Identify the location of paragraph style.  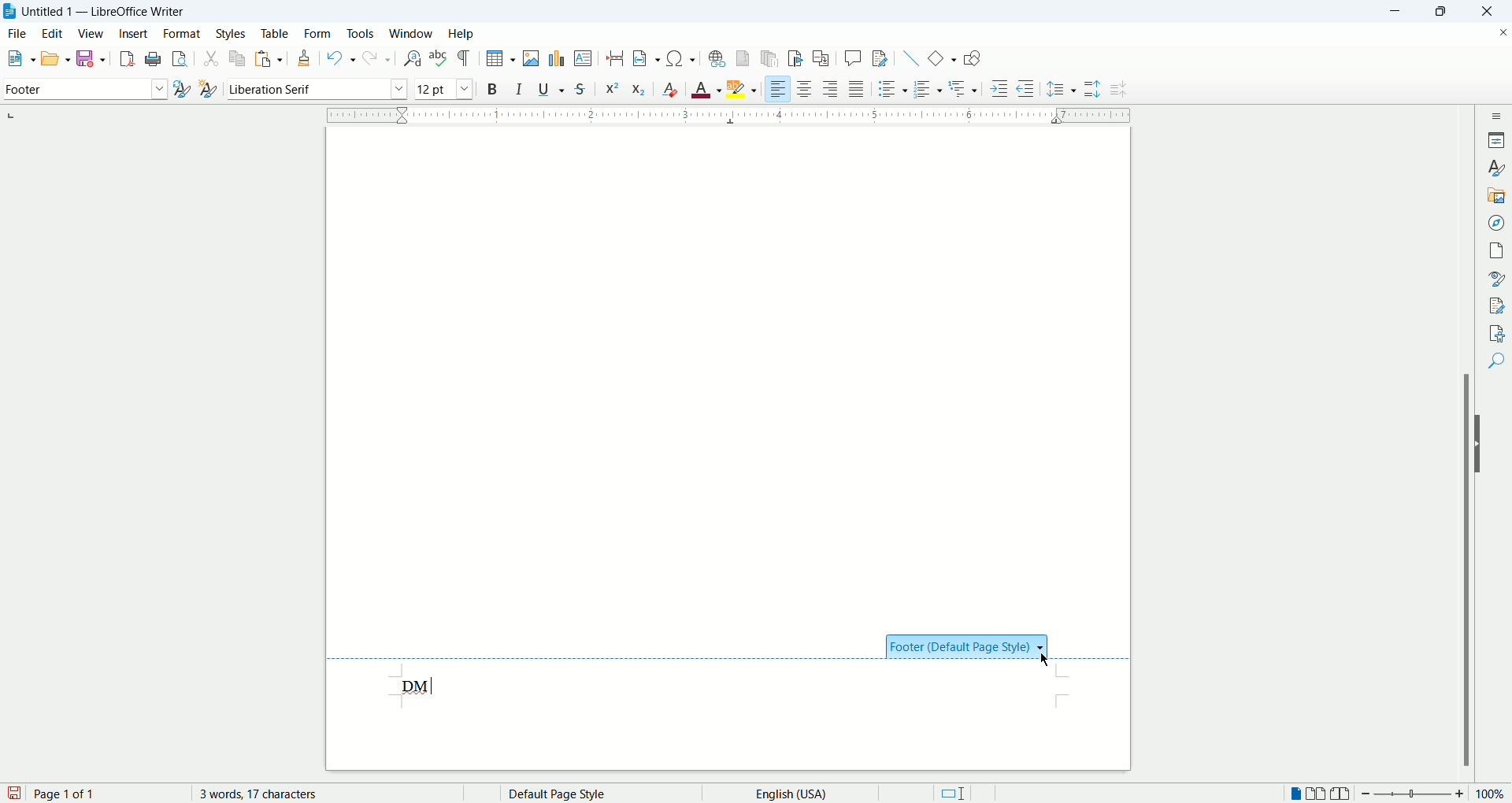
(82, 89).